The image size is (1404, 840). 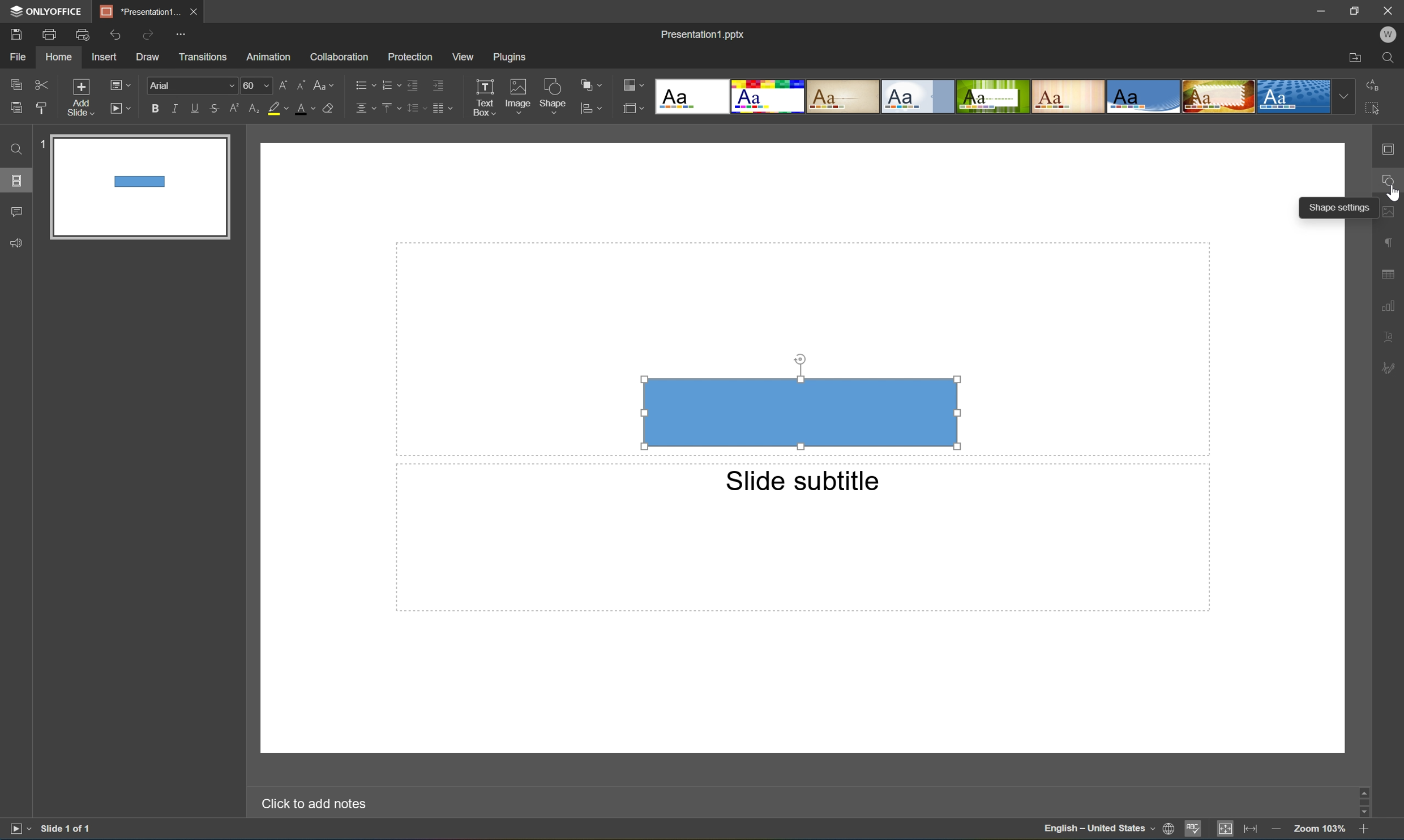 What do you see at coordinates (1388, 32) in the screenshot?
I see `W` at bounding box center [1388, 32].